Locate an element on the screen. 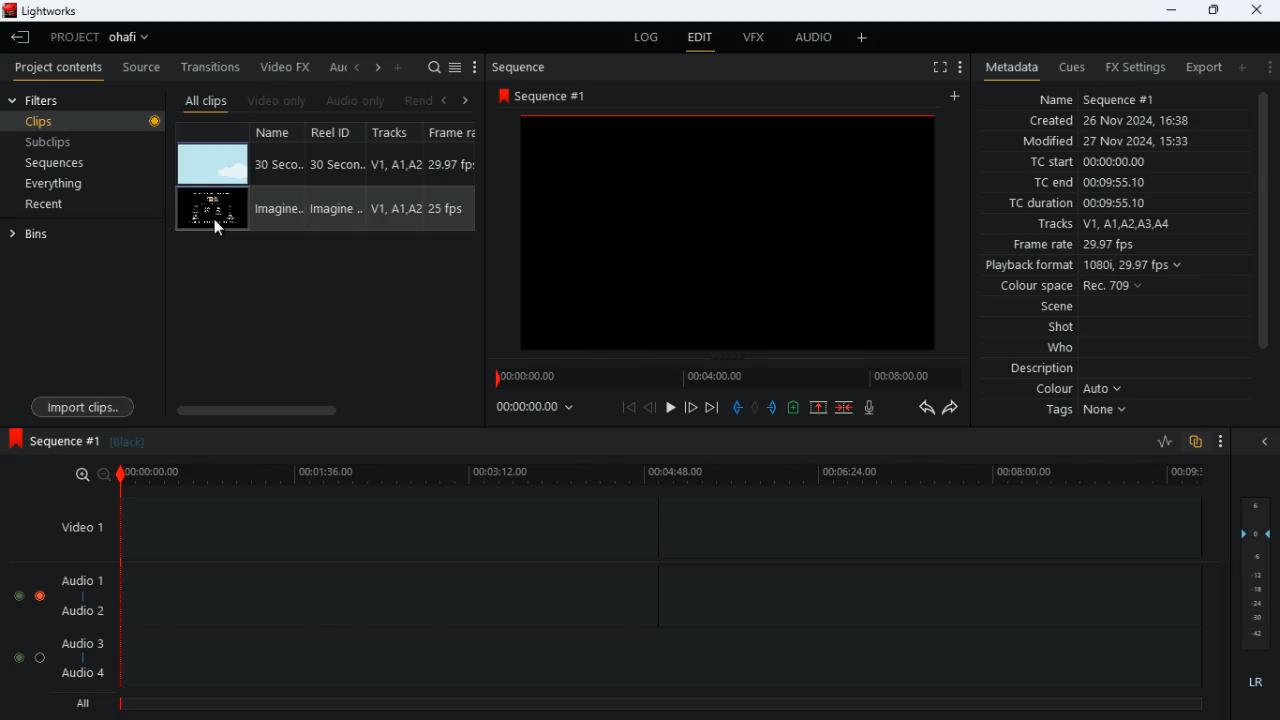 The width and height of the screenshot is (1280, 720). videos is located at coordinates (726, 235).